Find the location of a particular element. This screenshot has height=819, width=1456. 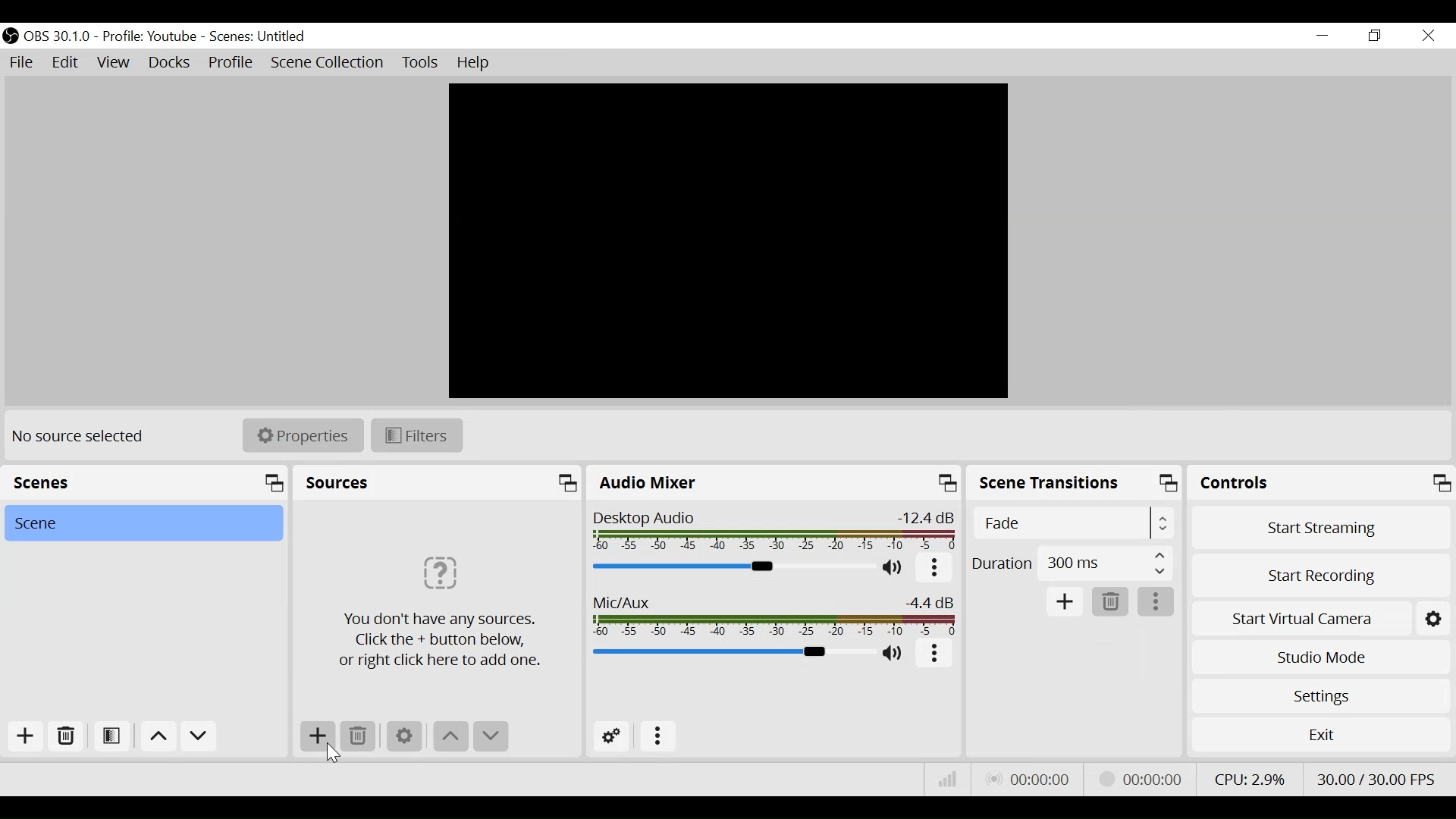

Properties is located at coordinates (302, 435).